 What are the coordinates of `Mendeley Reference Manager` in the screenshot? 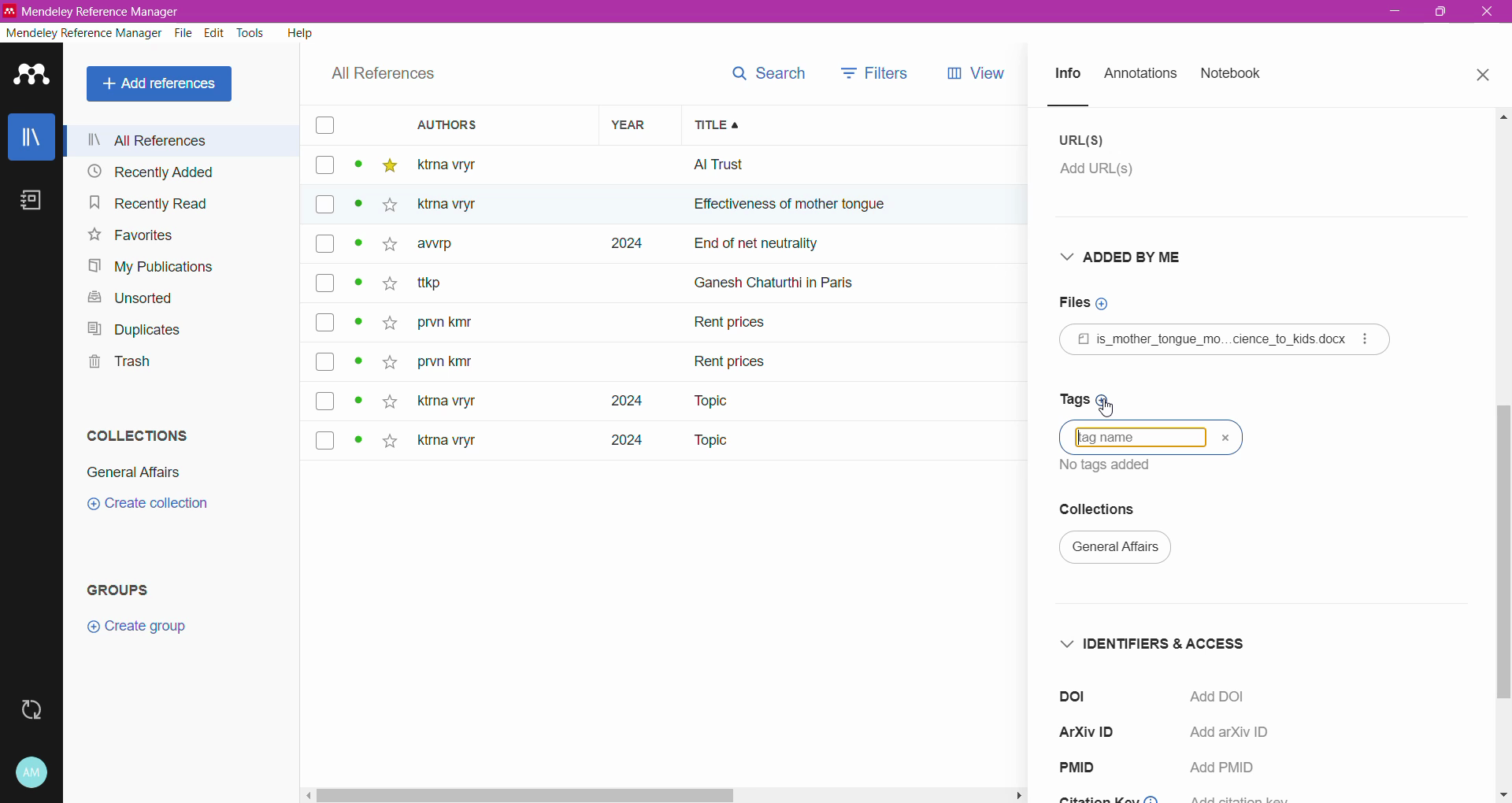 It's located at (83, 33).